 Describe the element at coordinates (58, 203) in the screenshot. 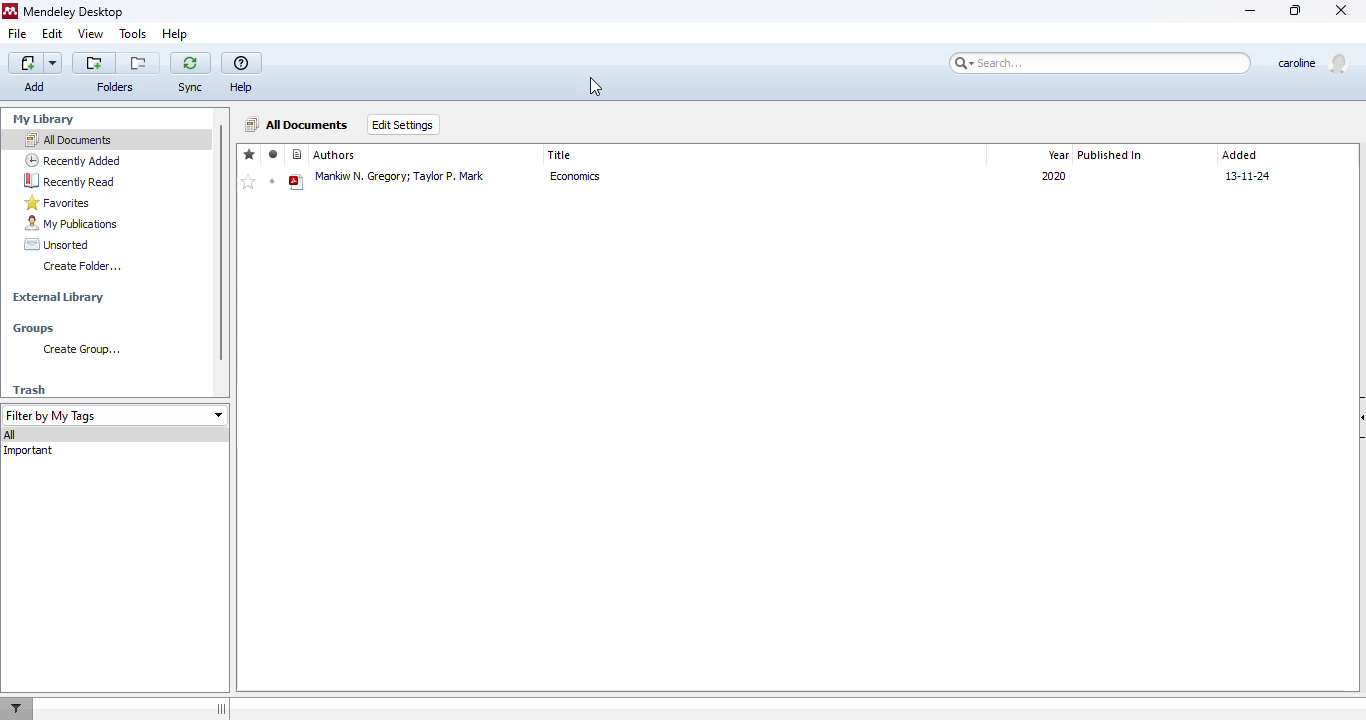

I see `favorites` at that location.